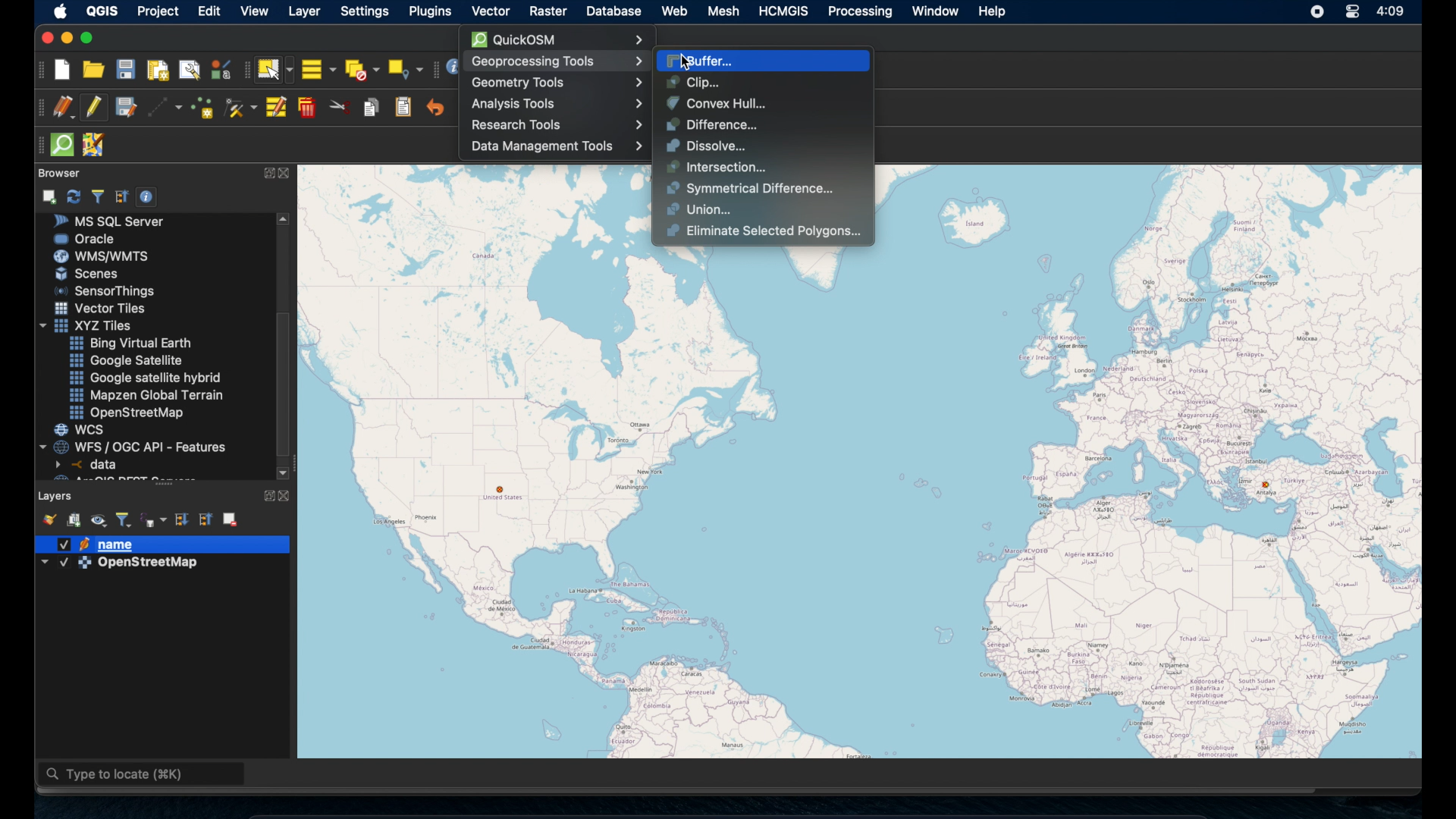 The height and width of the screenshot is (819, 1456). Describe the element at coordinates (705, 145) in the screenshot. I see `Dissolve...` at that location.